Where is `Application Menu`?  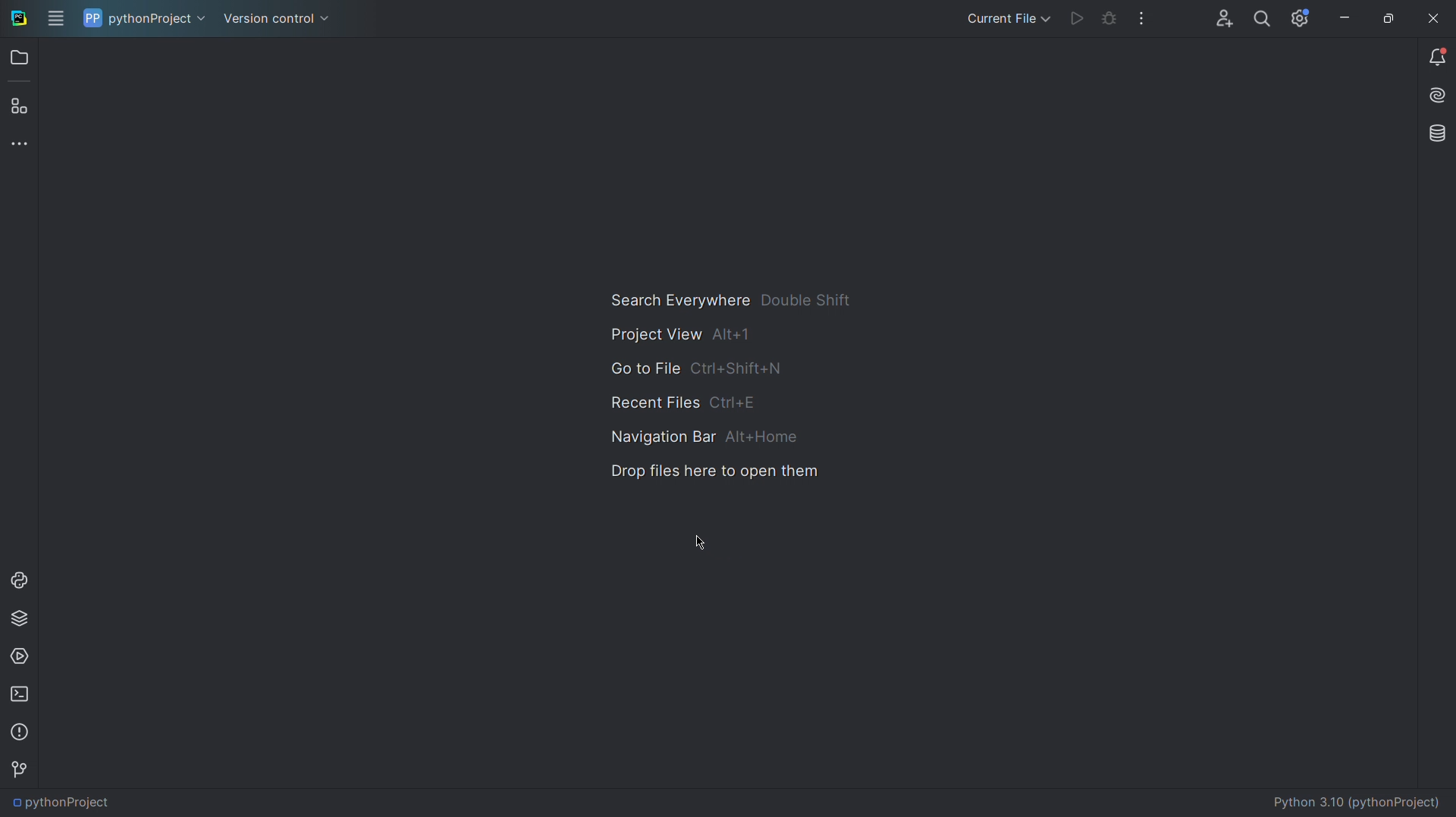
Application Menu is located at coordinates (58, 20).